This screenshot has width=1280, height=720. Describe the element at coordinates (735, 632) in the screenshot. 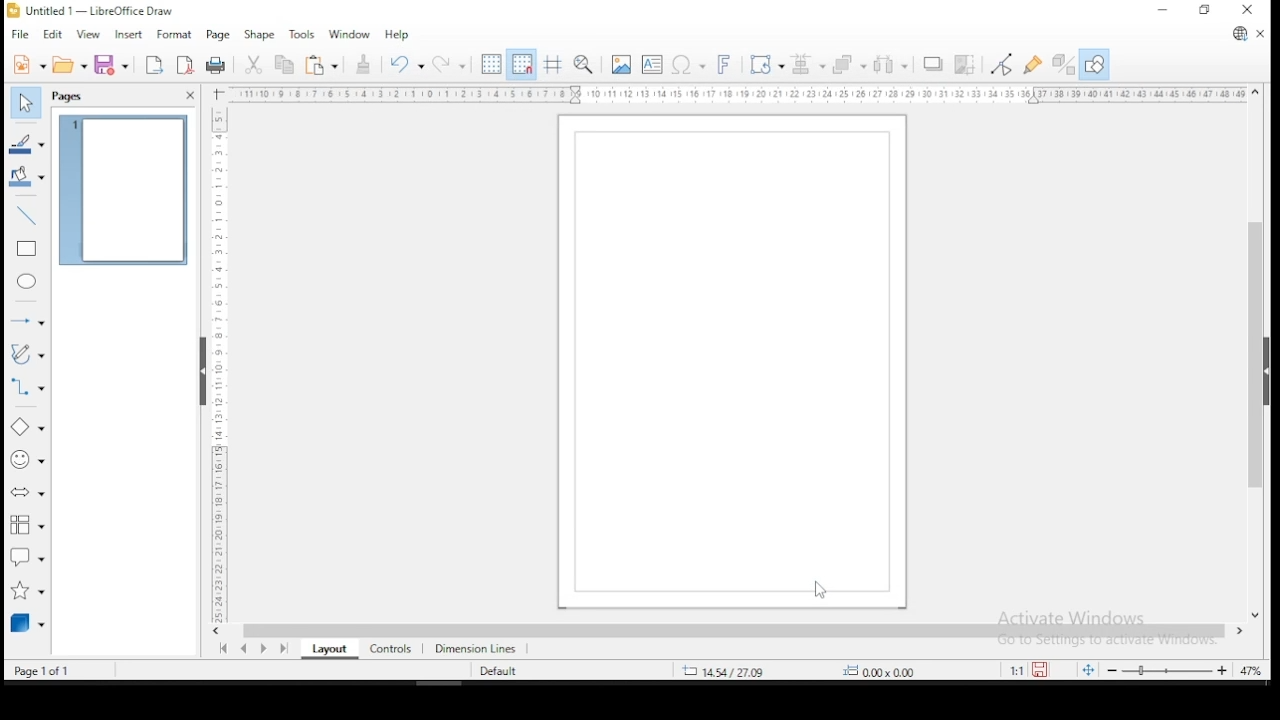

I see `scroll bar` at that location.